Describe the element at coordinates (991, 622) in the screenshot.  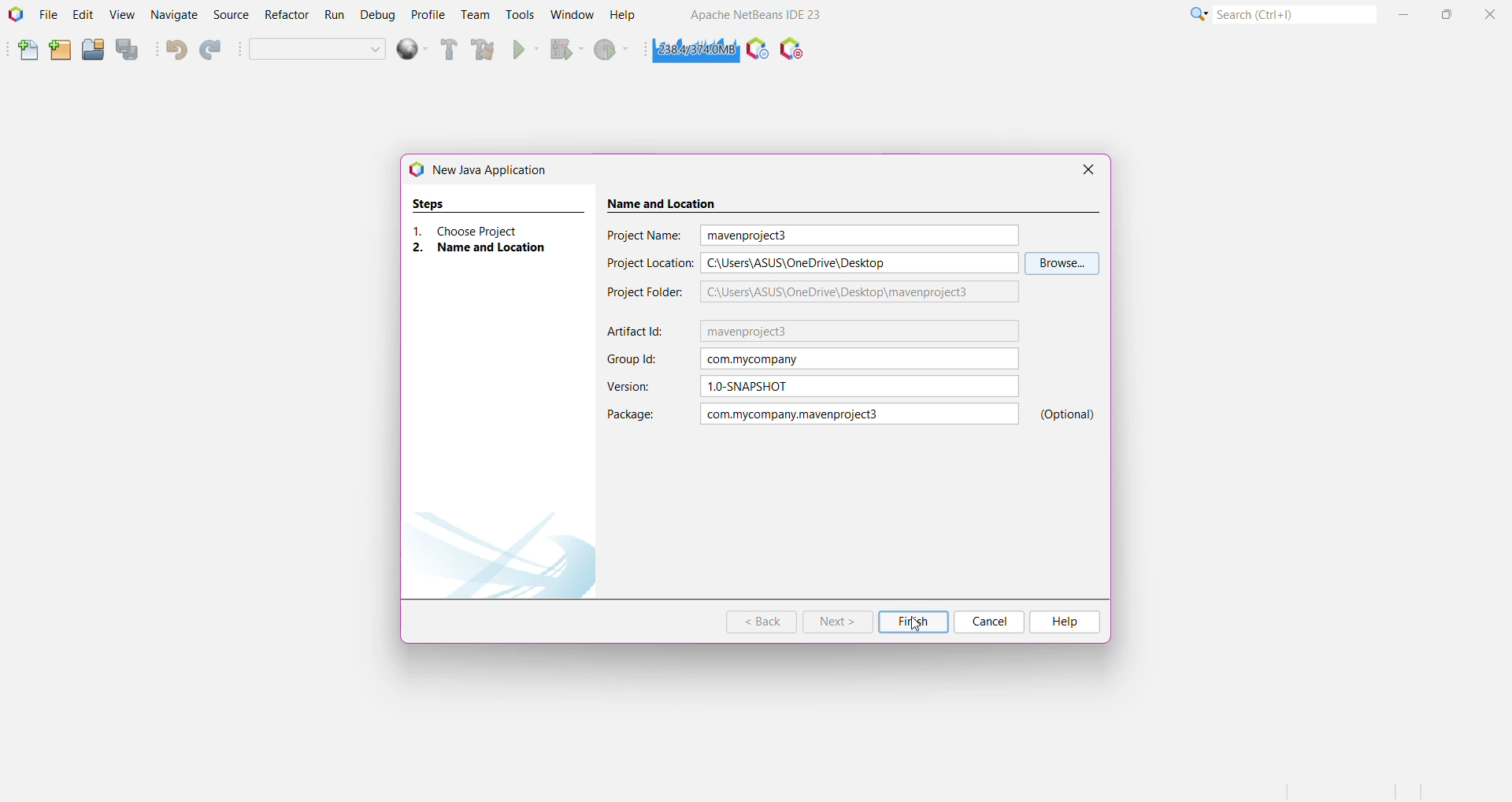
I see `Cancel` at that location.